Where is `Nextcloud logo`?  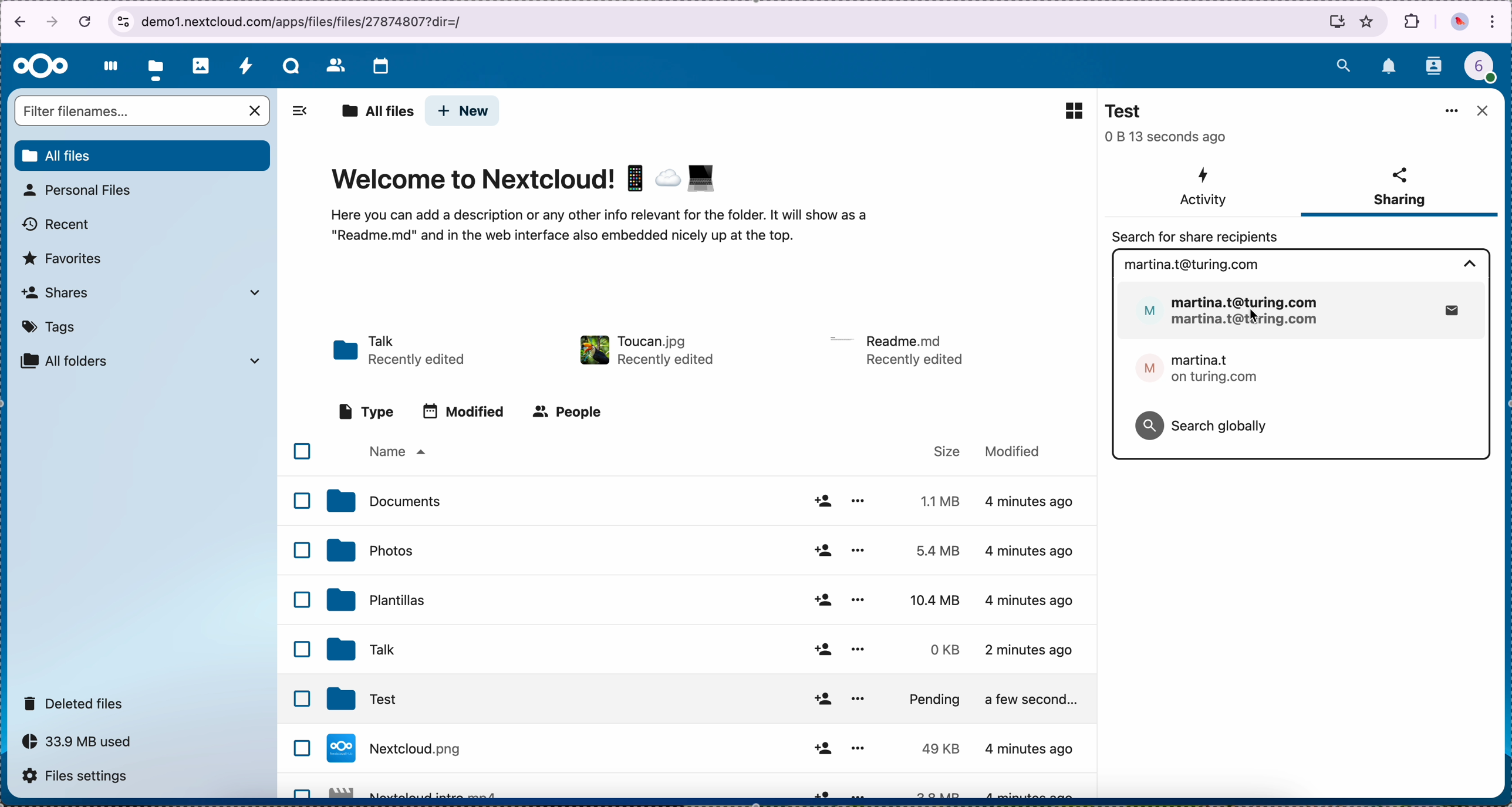
Nextcloud logo is located at coordinates (41, 67).